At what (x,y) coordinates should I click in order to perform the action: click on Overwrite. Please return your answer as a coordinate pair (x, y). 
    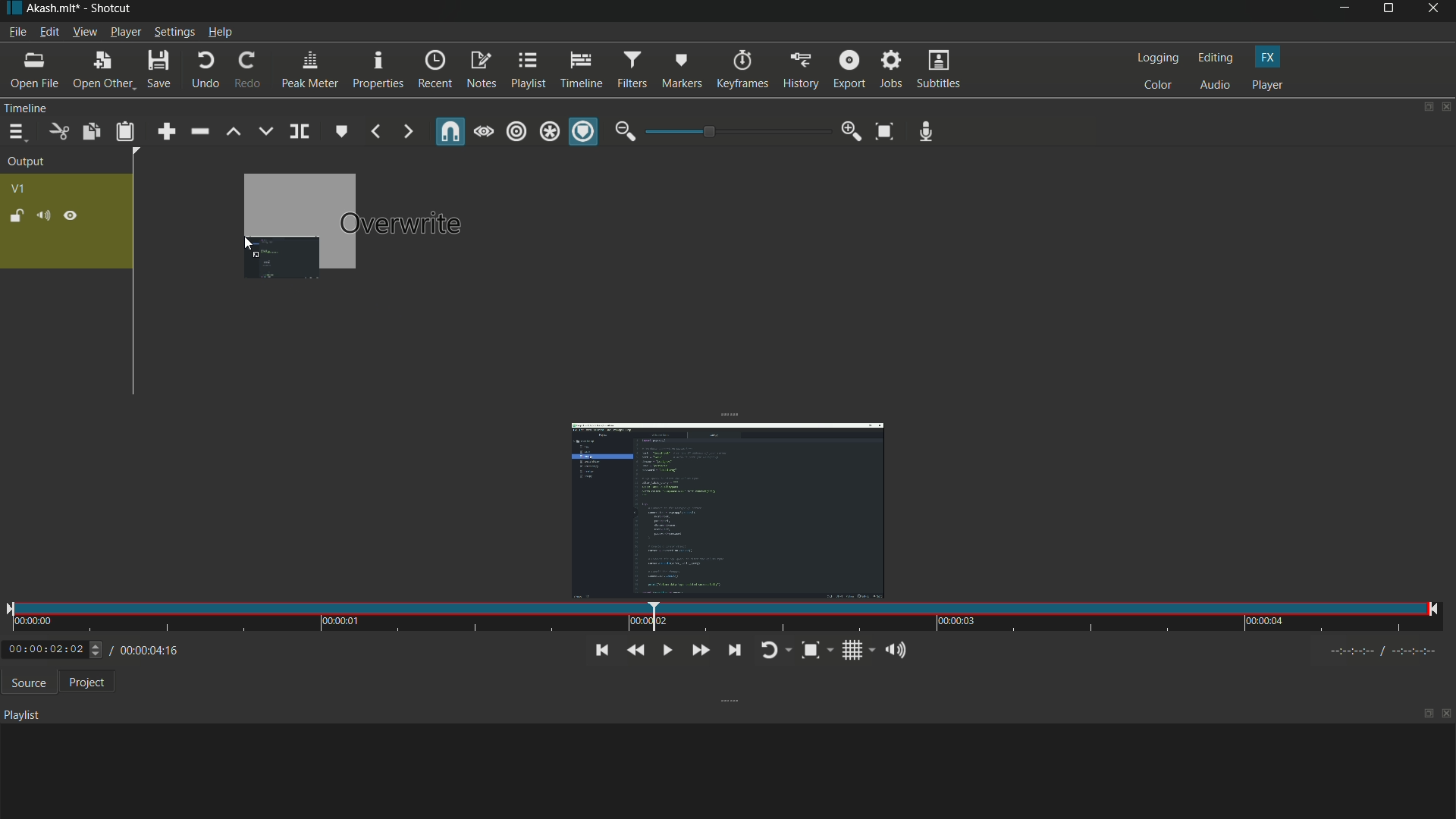
    Looking at the image, I should click on (403, 224).